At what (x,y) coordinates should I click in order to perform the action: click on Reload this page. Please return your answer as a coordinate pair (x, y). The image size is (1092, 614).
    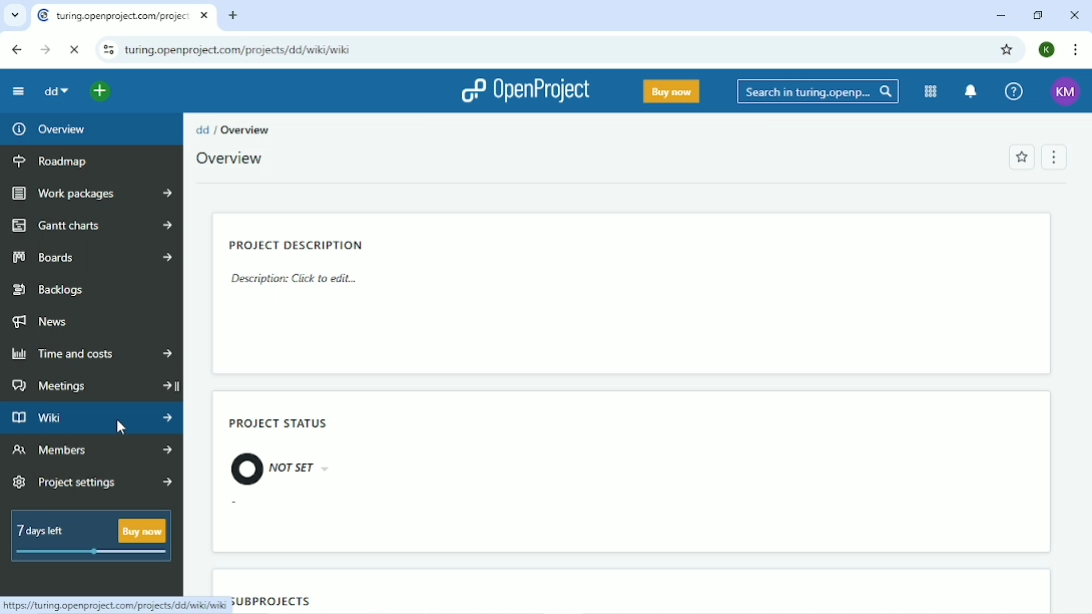
    Looking at the image, I should click on (73, 49).